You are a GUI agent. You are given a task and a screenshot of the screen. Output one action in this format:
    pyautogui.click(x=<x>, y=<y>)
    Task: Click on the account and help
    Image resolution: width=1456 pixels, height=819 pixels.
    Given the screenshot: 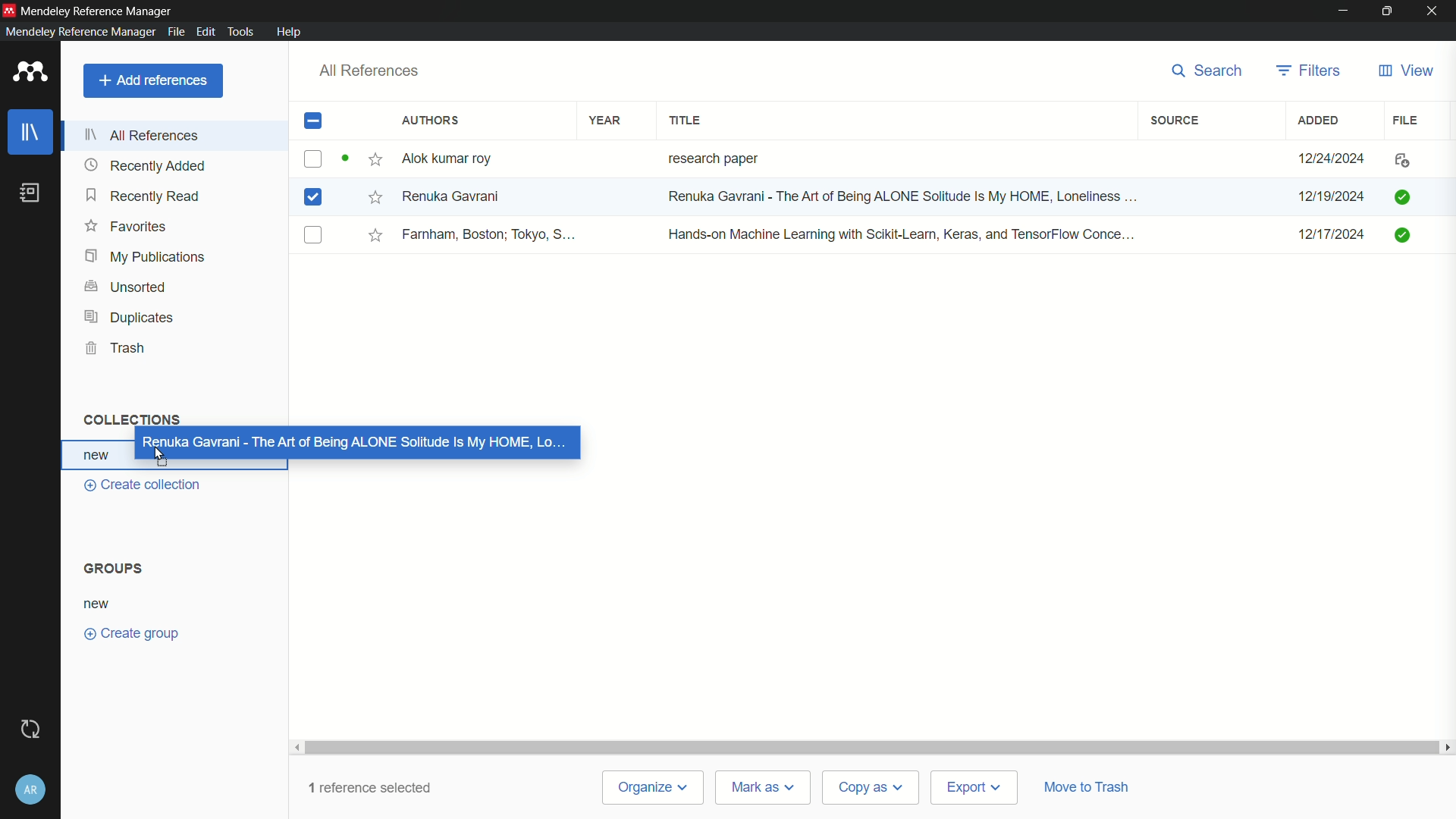 What is the action you would take?
    pyautogui.click(x=30, y=787)
    